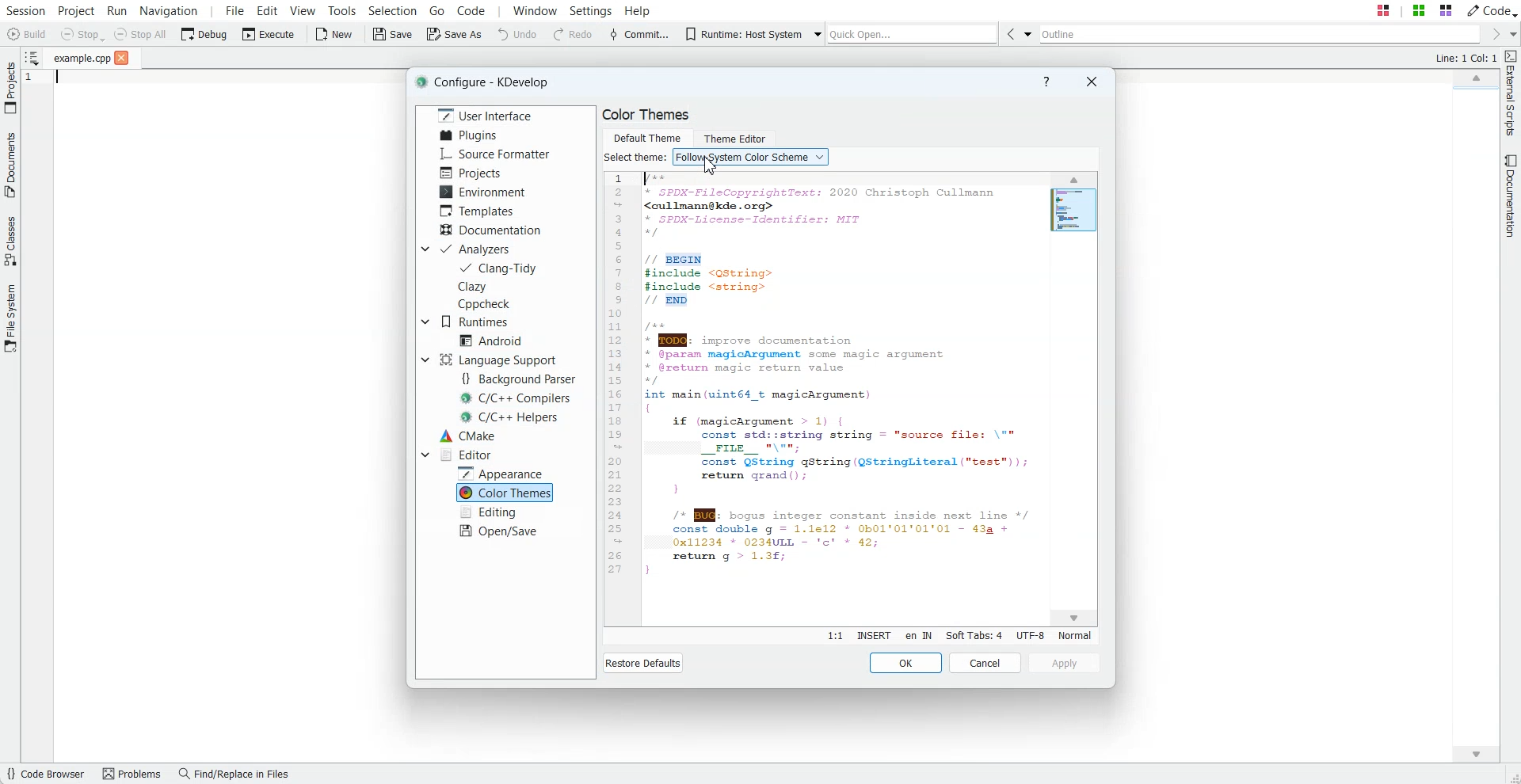 This screenshot has width=1521, height=784. What do you see at coordinates (1074, 635) in the screenshot?
I see `Normal` at bounding box center [1074, 635].